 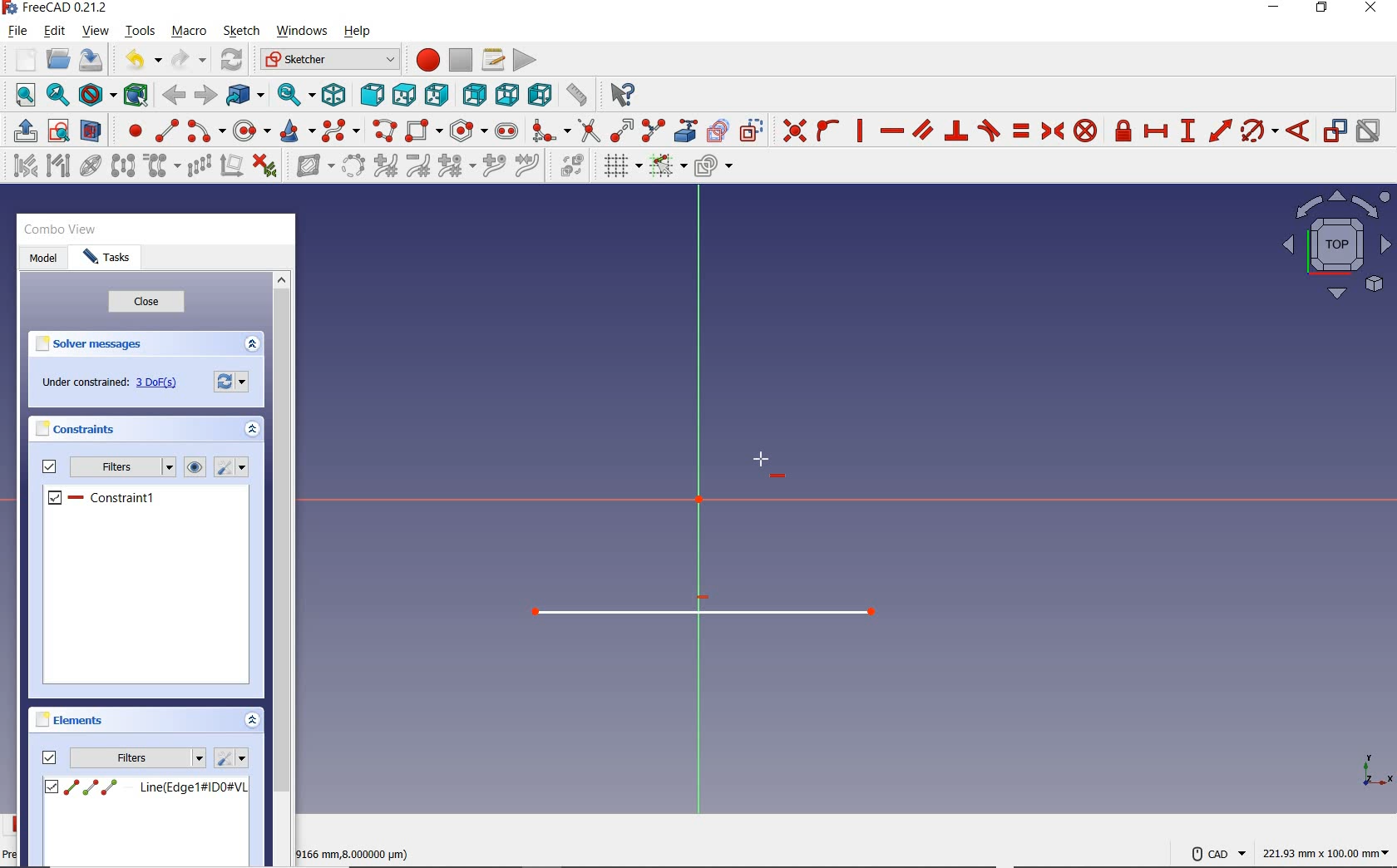 What do you see at coordinates (1334, 131) in the screenshot?
I see `TOGGLE DRIVING/REFERENCE CONSTRAINT` at bounding box center [1334, 131].